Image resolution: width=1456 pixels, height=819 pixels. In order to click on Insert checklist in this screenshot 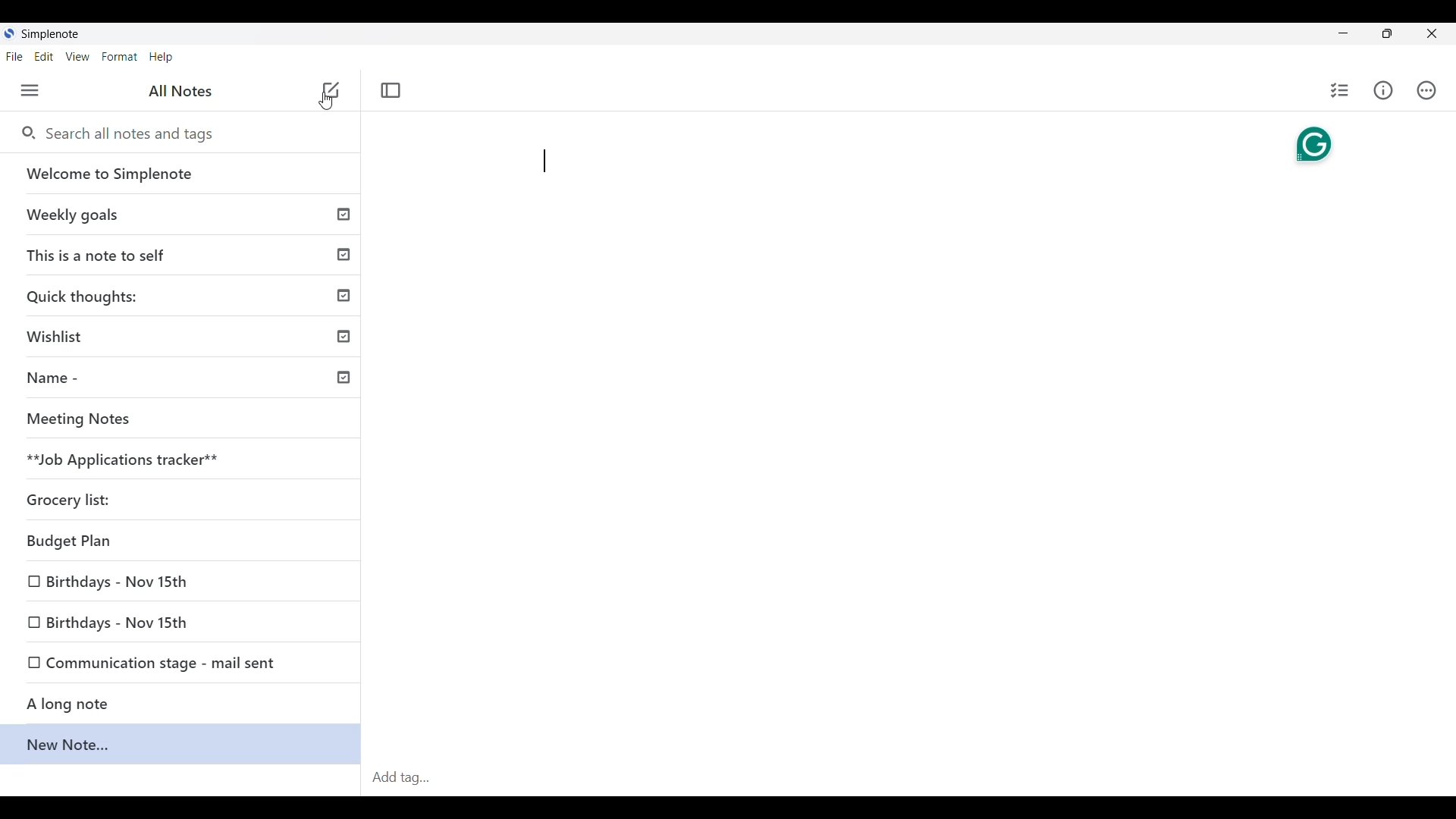, I will do `click(1341, 90)`.